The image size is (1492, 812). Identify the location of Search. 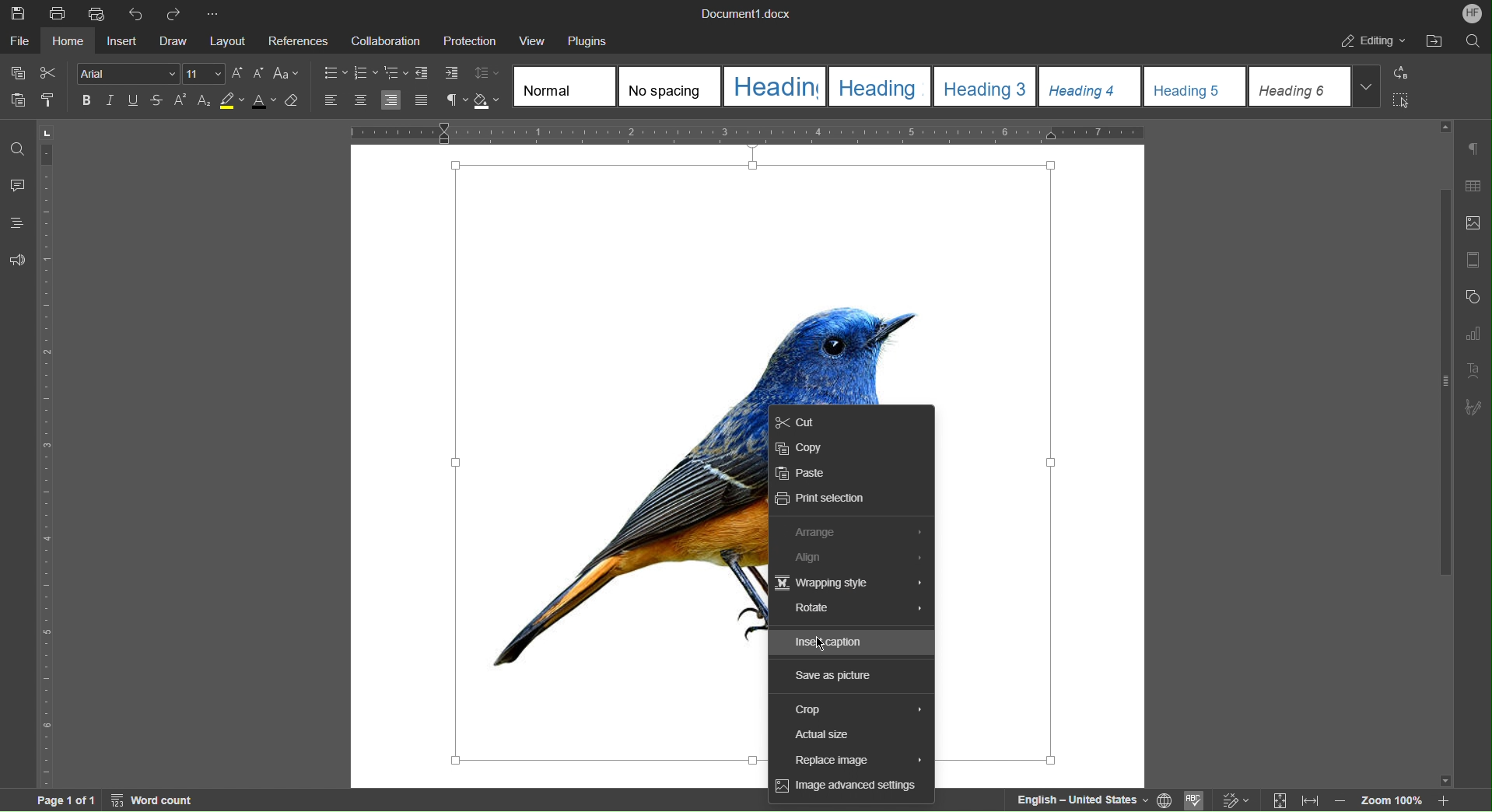
(1473, 41).